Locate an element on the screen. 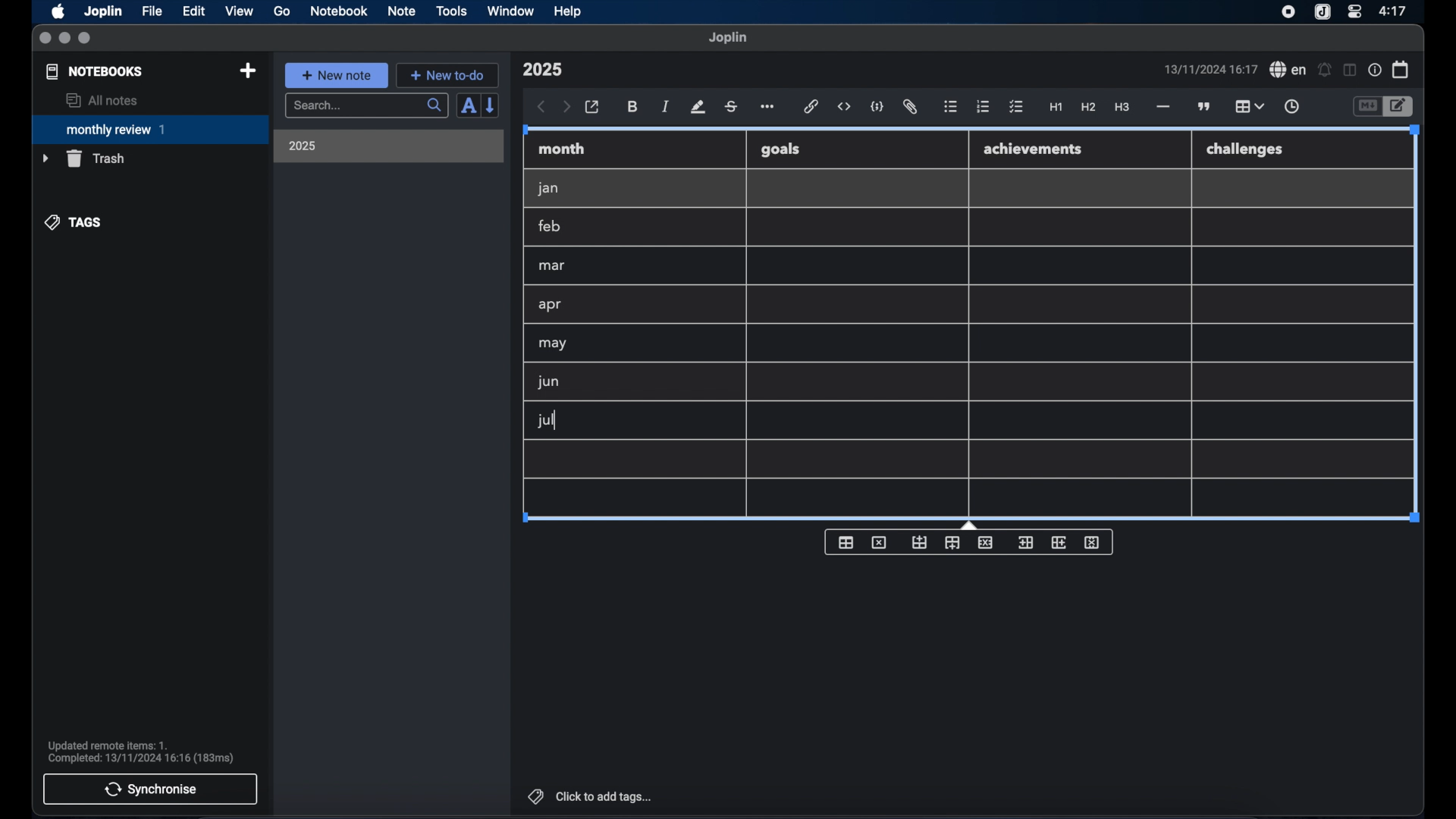 This screenshot has height=819, width=1456. insert row after is located at coordinates (952, 543).